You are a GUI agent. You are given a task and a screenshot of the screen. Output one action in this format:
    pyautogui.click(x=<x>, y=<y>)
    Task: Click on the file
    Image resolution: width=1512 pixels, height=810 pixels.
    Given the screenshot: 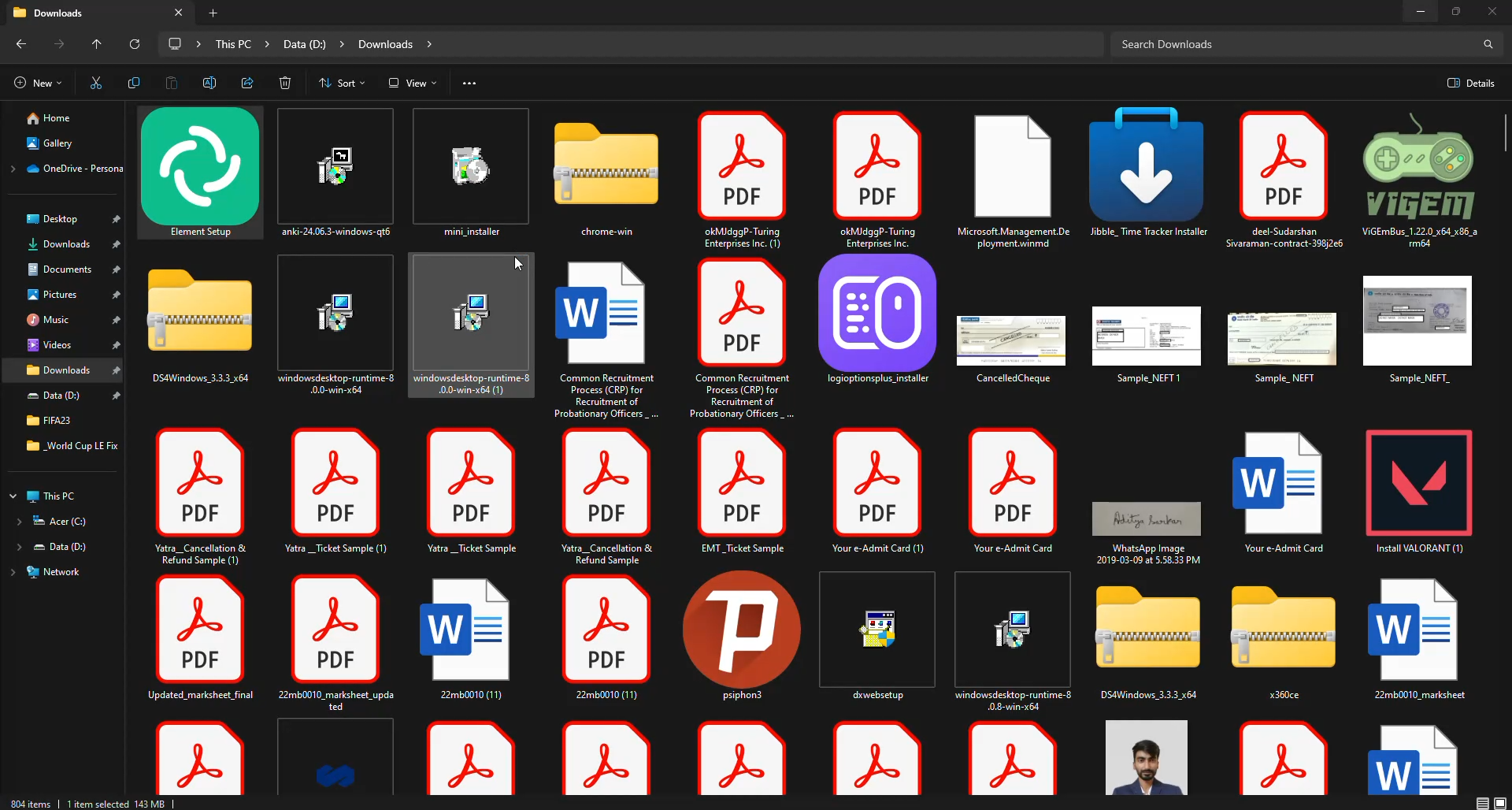 What is the action you would take?
    pyautogui.click(x=1286, y=345)
    